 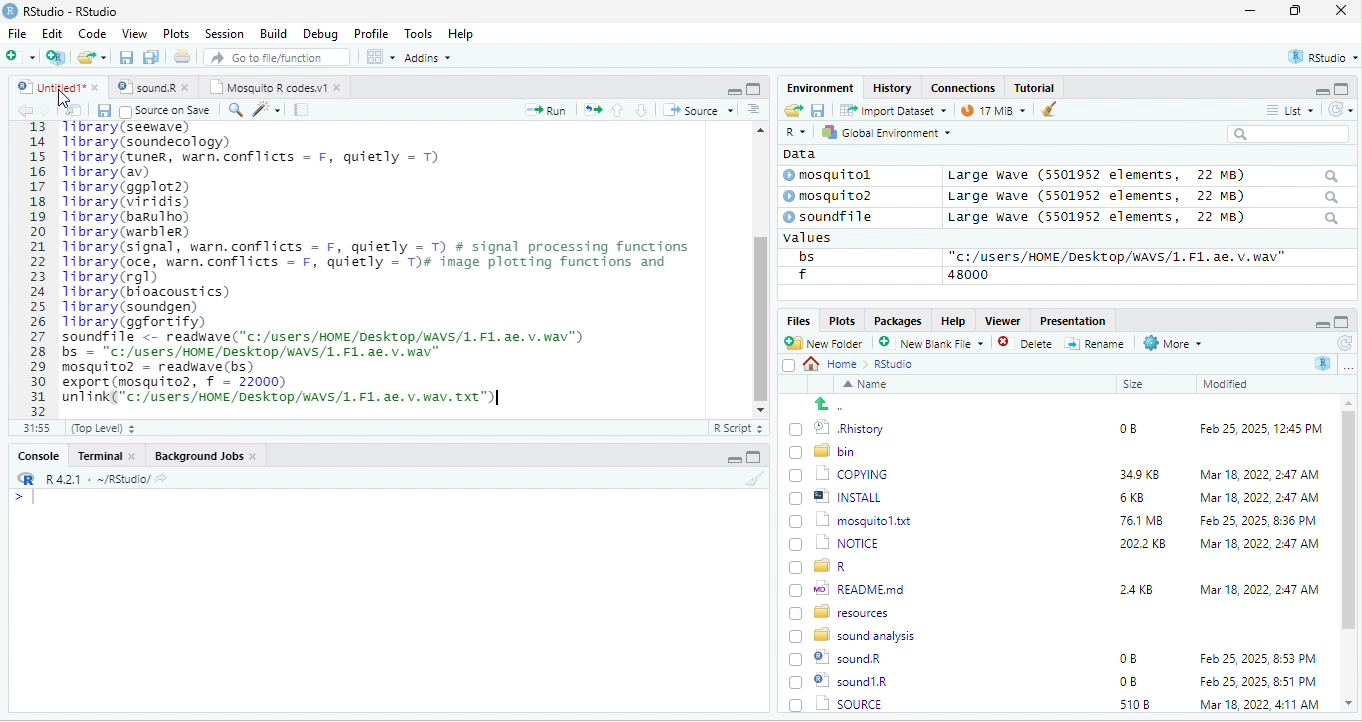 I want to click on open, so click(x=792, y=111).